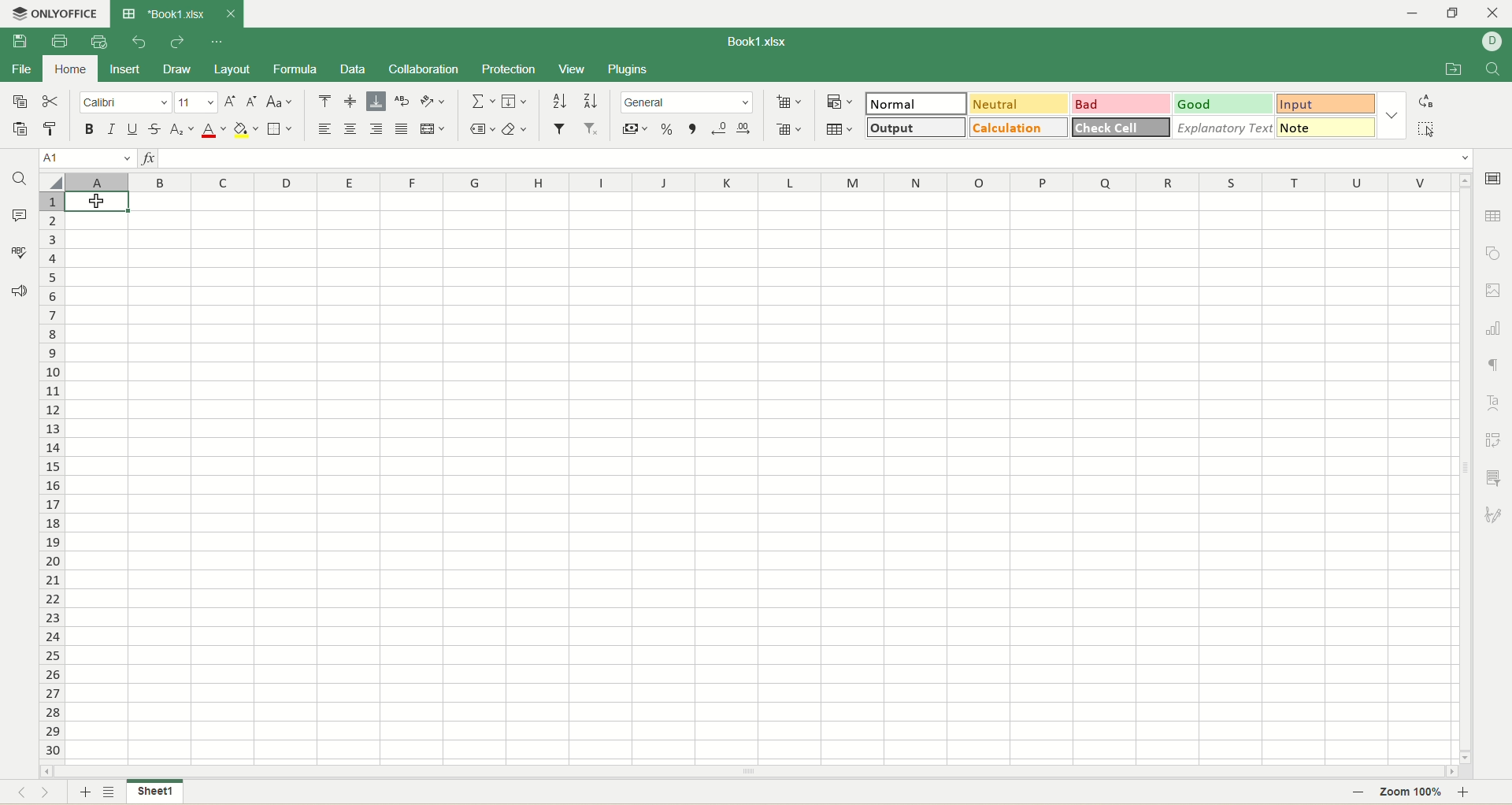 The height and width of the screenshot is (805, 1512). I want to click on horizontal scroll bar, so click(750, 772).